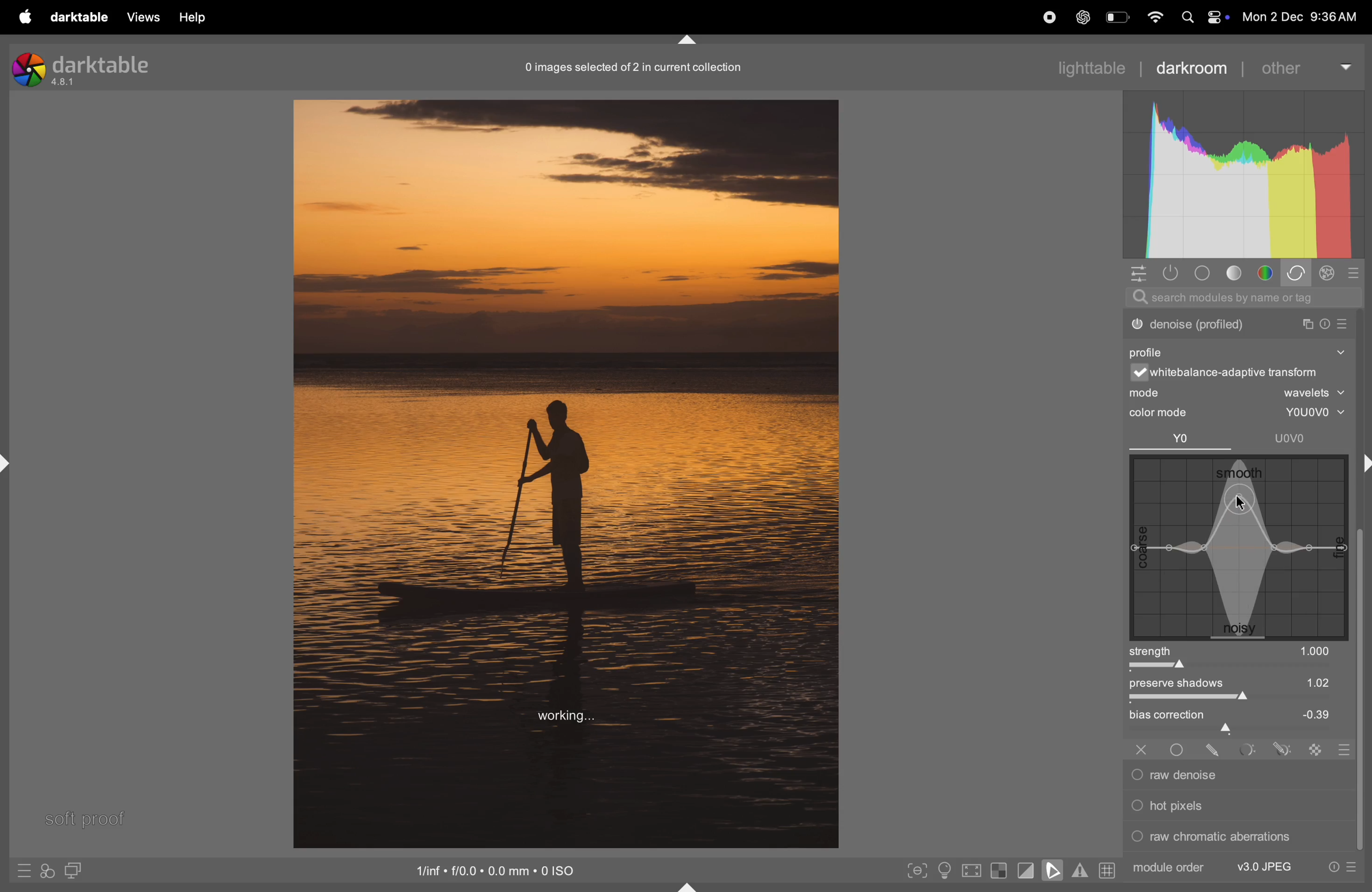 Image resolution: width=1372 pixels, height=892 pixels. What do you see at coordinates (1316, 651) in the screenshot?
I see `1000` at bounding box center [1316, 651].